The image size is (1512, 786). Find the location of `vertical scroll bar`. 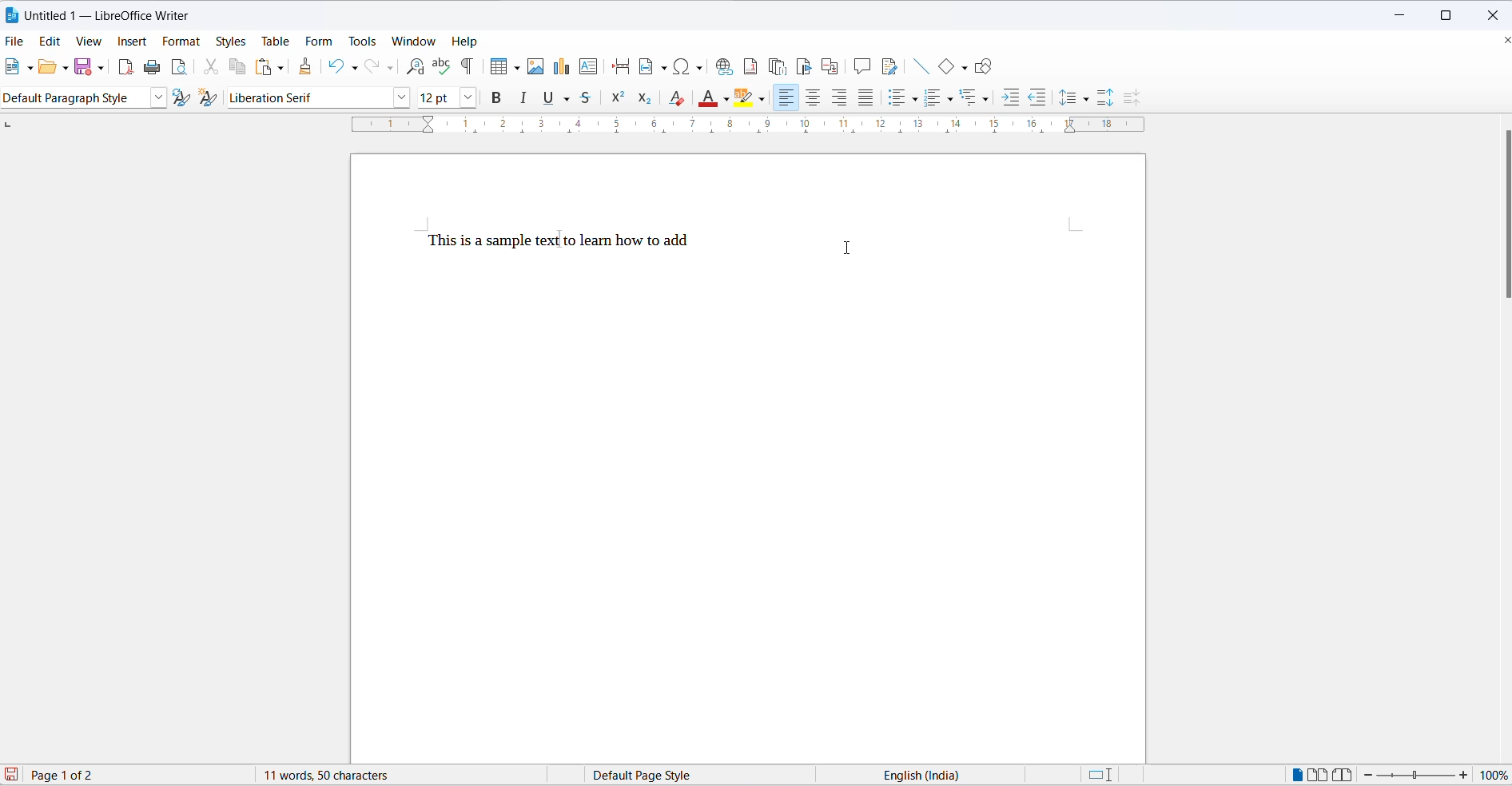

vertical scroll bar is located at coordinates (1502, 216).